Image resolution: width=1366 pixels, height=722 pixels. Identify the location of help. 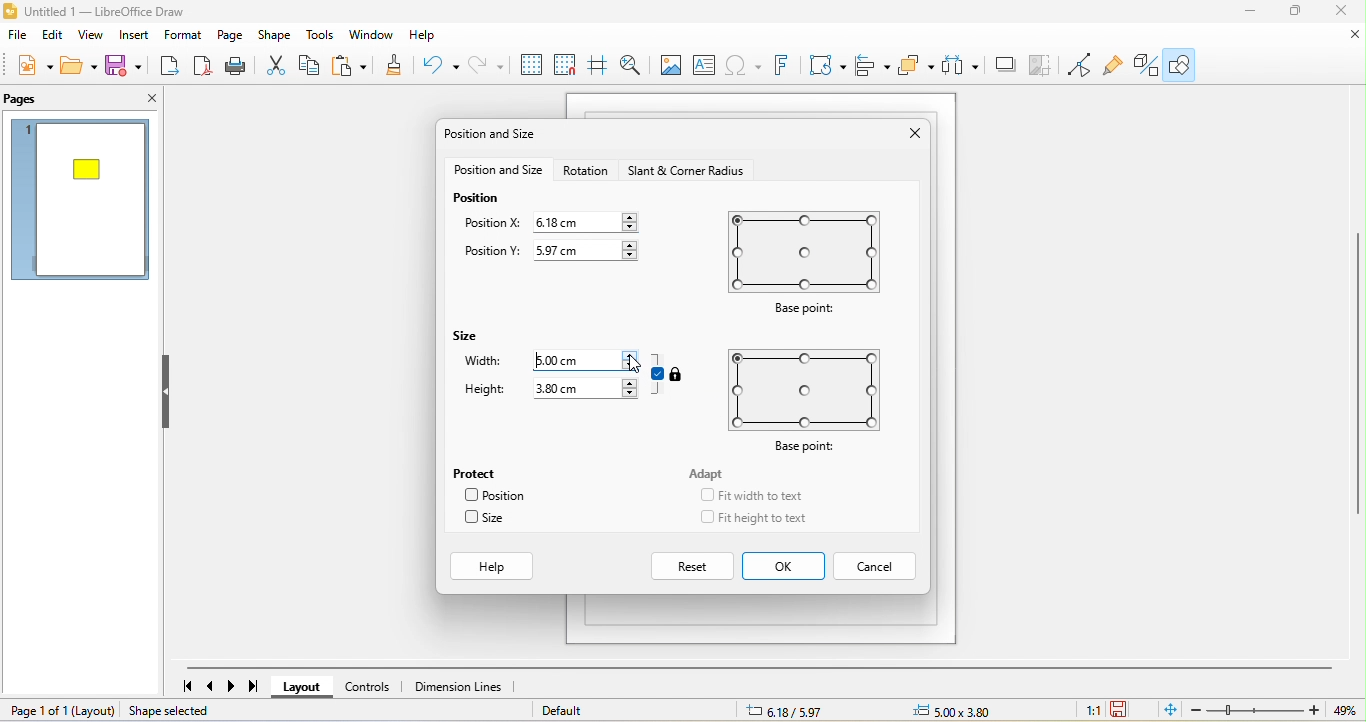
(492, 567).